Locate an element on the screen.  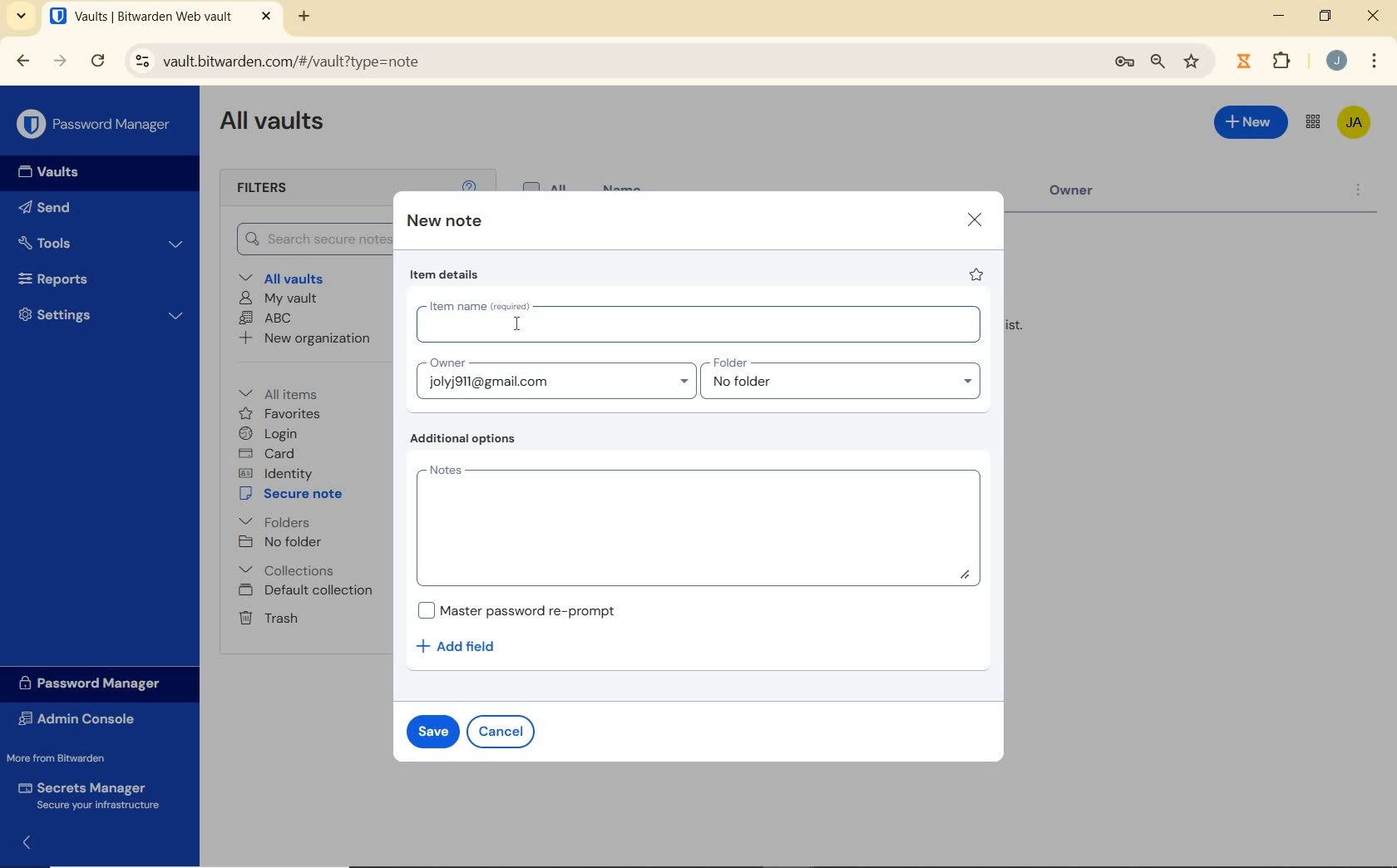
favorites is located at coordinates (280, 414).